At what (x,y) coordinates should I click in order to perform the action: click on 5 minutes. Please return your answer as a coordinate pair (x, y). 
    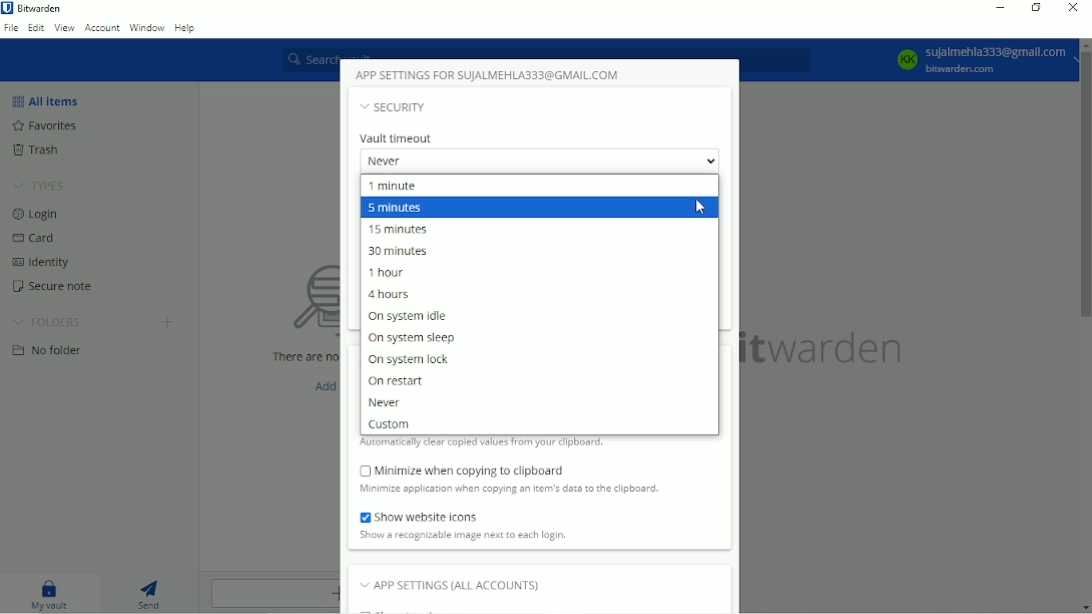
    Looking at the image, I should click on (395, 209).